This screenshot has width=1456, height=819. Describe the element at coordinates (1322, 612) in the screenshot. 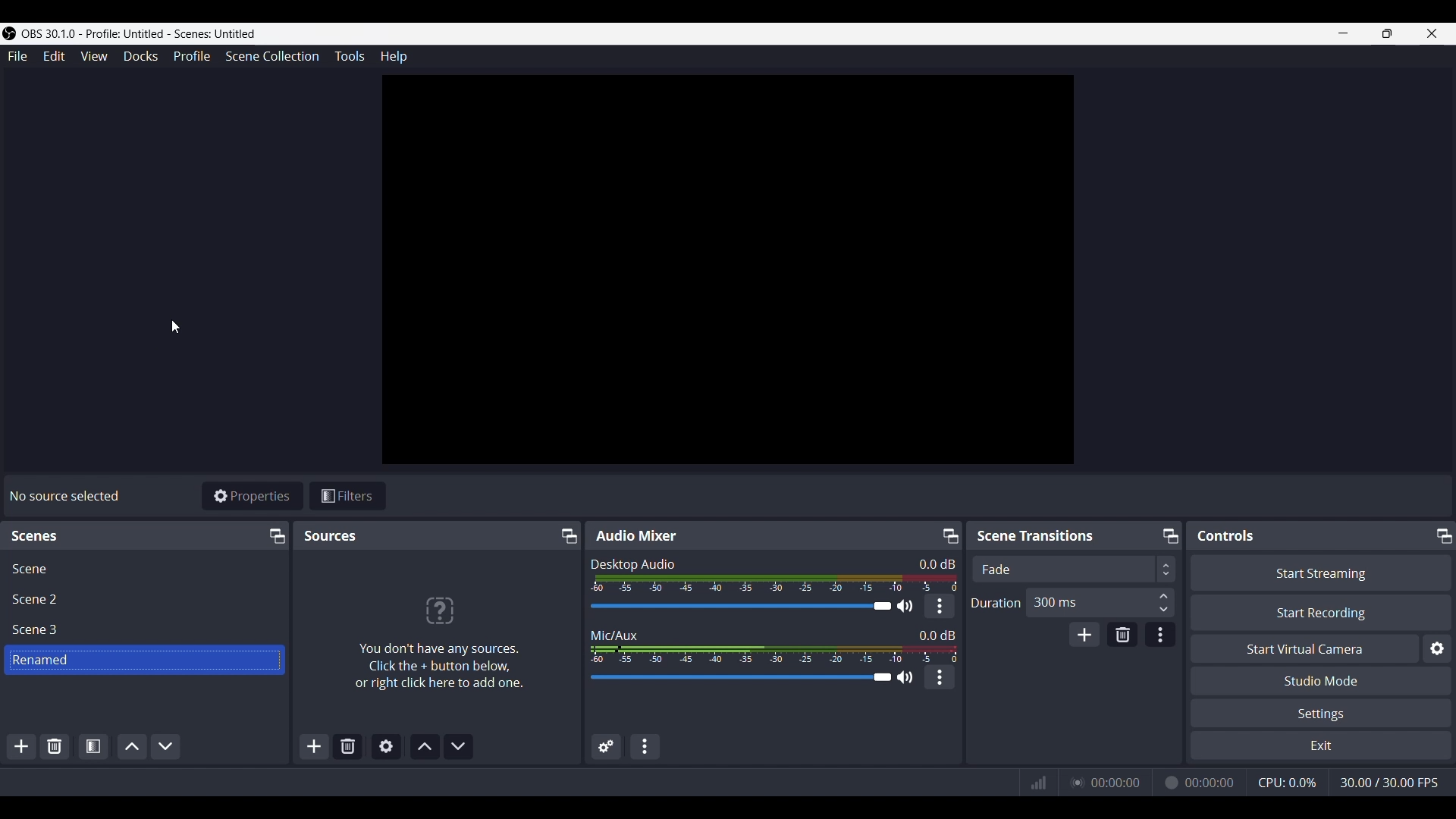

I see `Start Recording` at that location.